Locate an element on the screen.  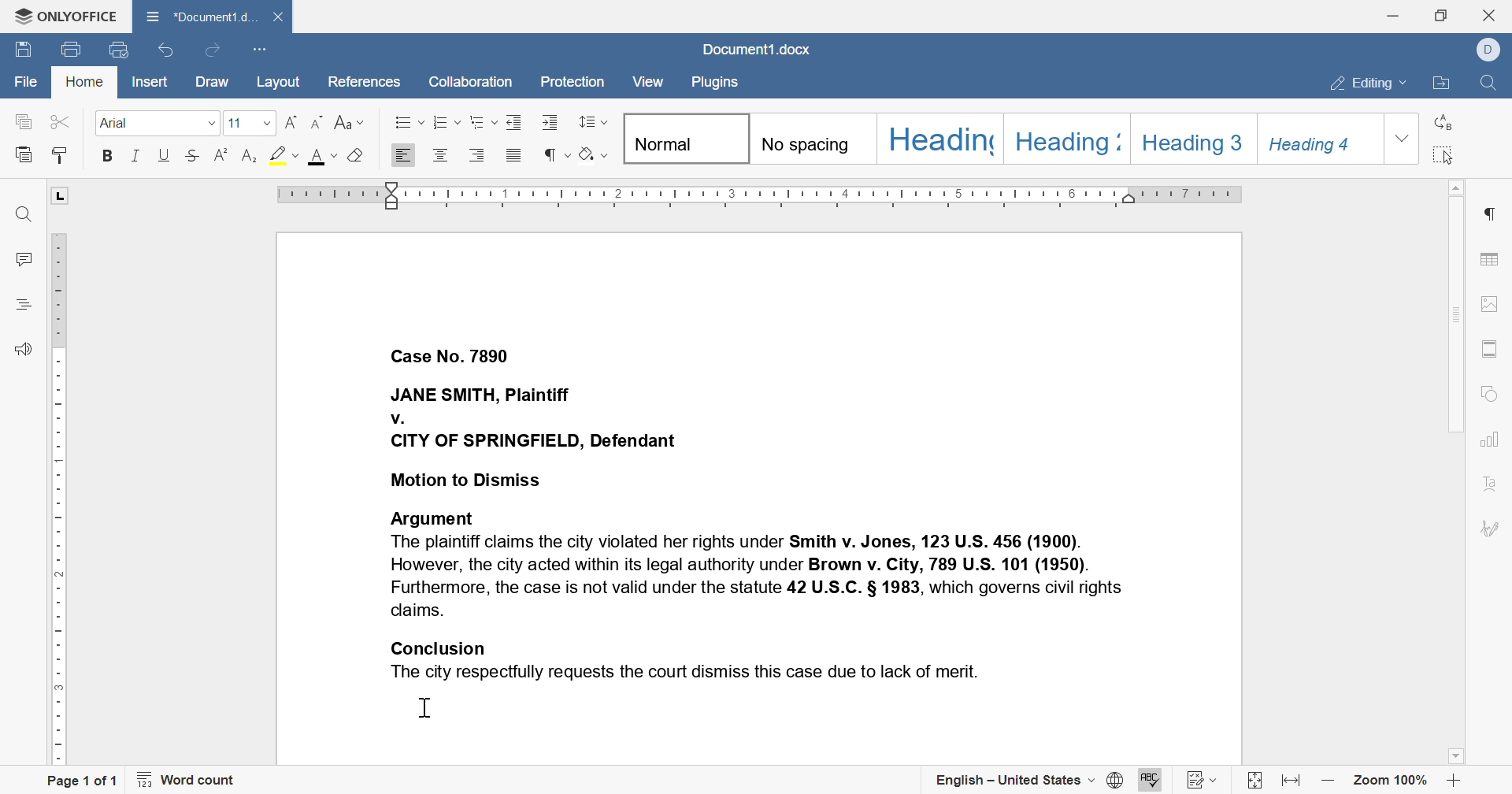
Document1.d is located at coordinates (199, 14).